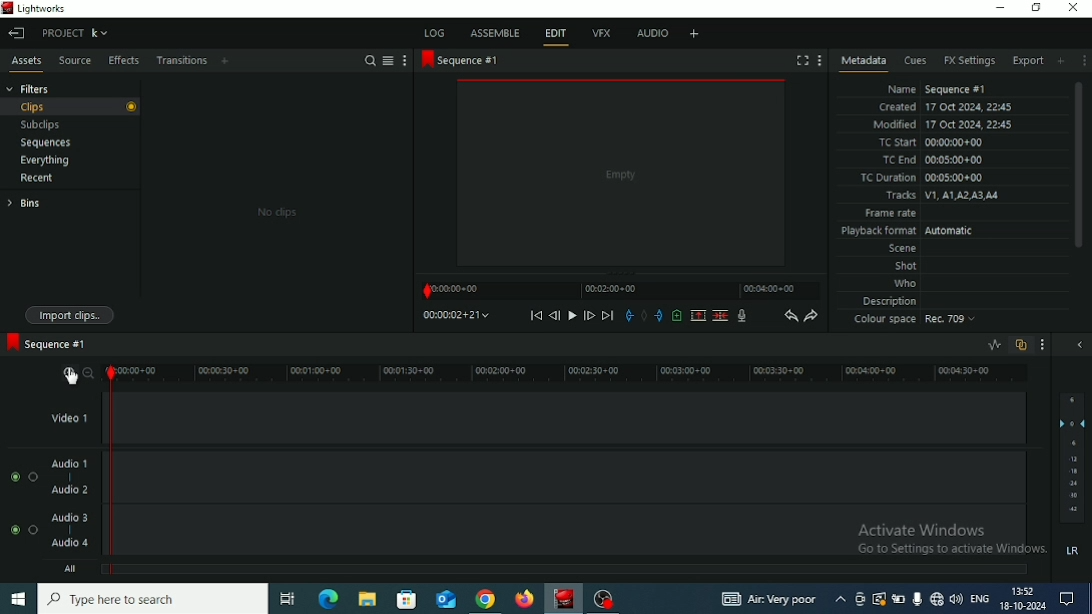 This screenshot has height=614, width=1092. Describe the element at coordinates (906, 284) in the screenshot. I see `Who` at that location.